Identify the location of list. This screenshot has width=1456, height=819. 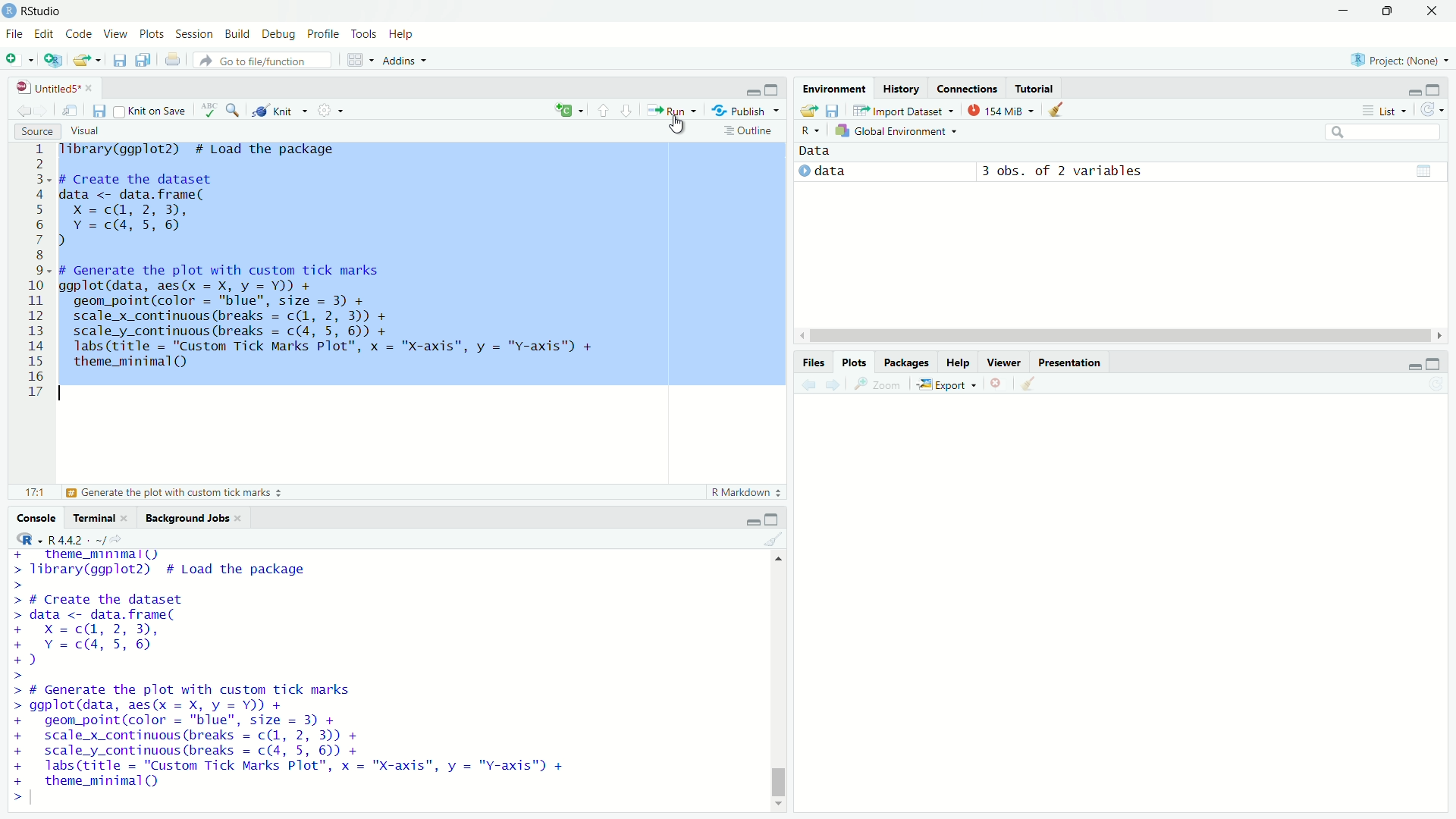
(1385, 110).